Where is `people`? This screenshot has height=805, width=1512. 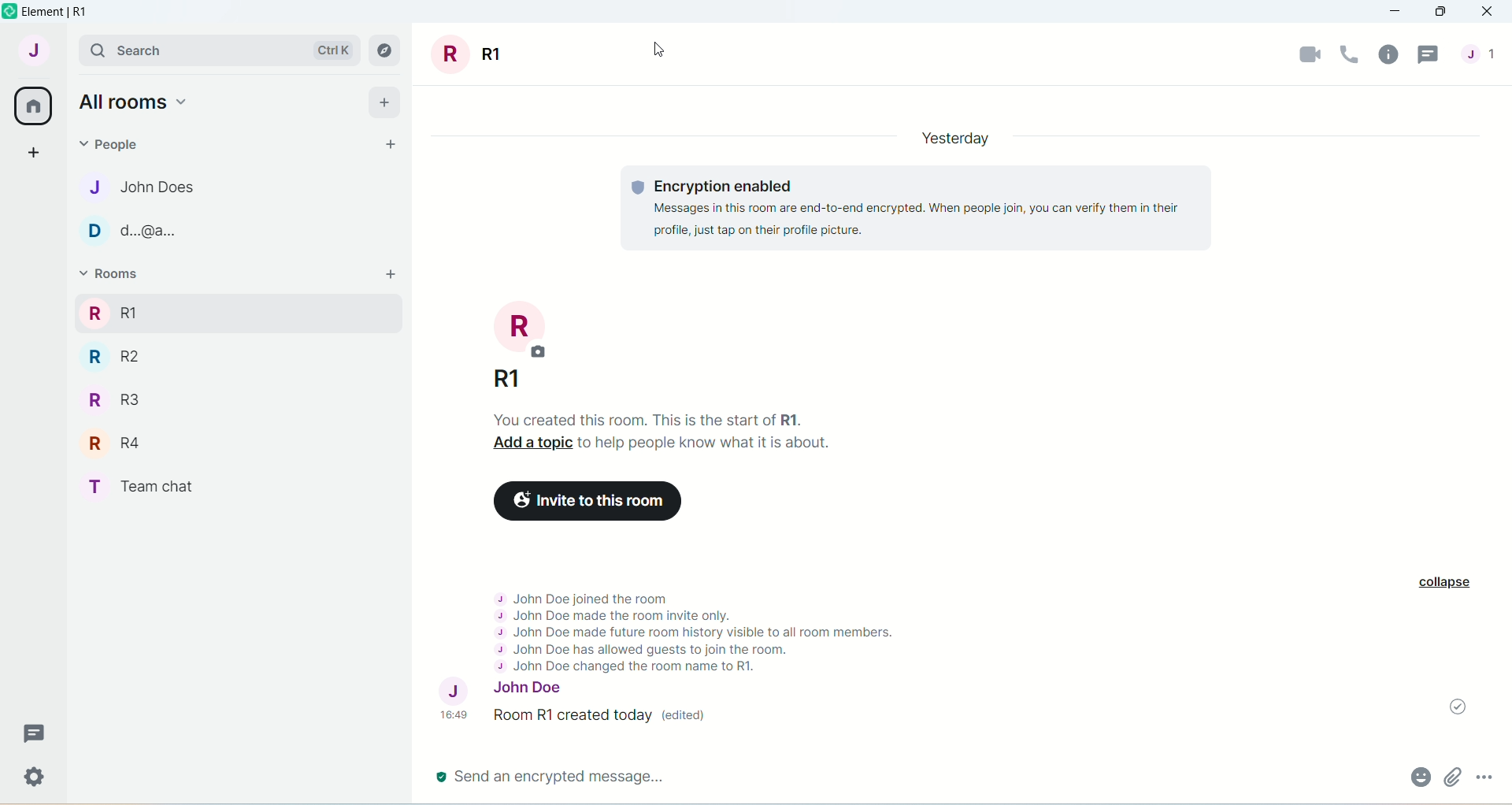
people is located at coordinates (111, 143).